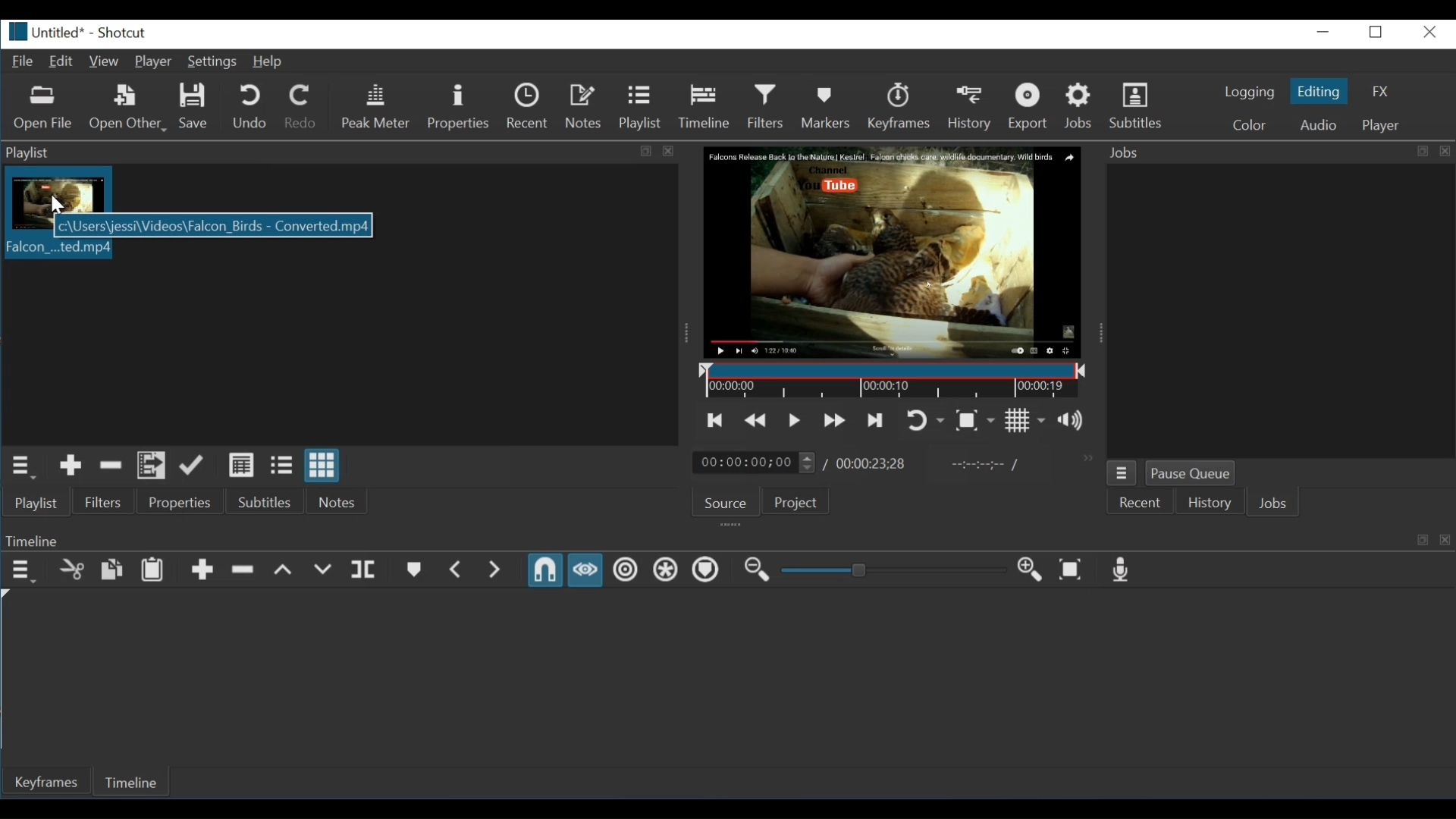 This screenshot has width=1456, height=819. What do you see at coordinates (111, 466) in the screenshot?
I see `Remove cut` at bounding box center [111, 466].